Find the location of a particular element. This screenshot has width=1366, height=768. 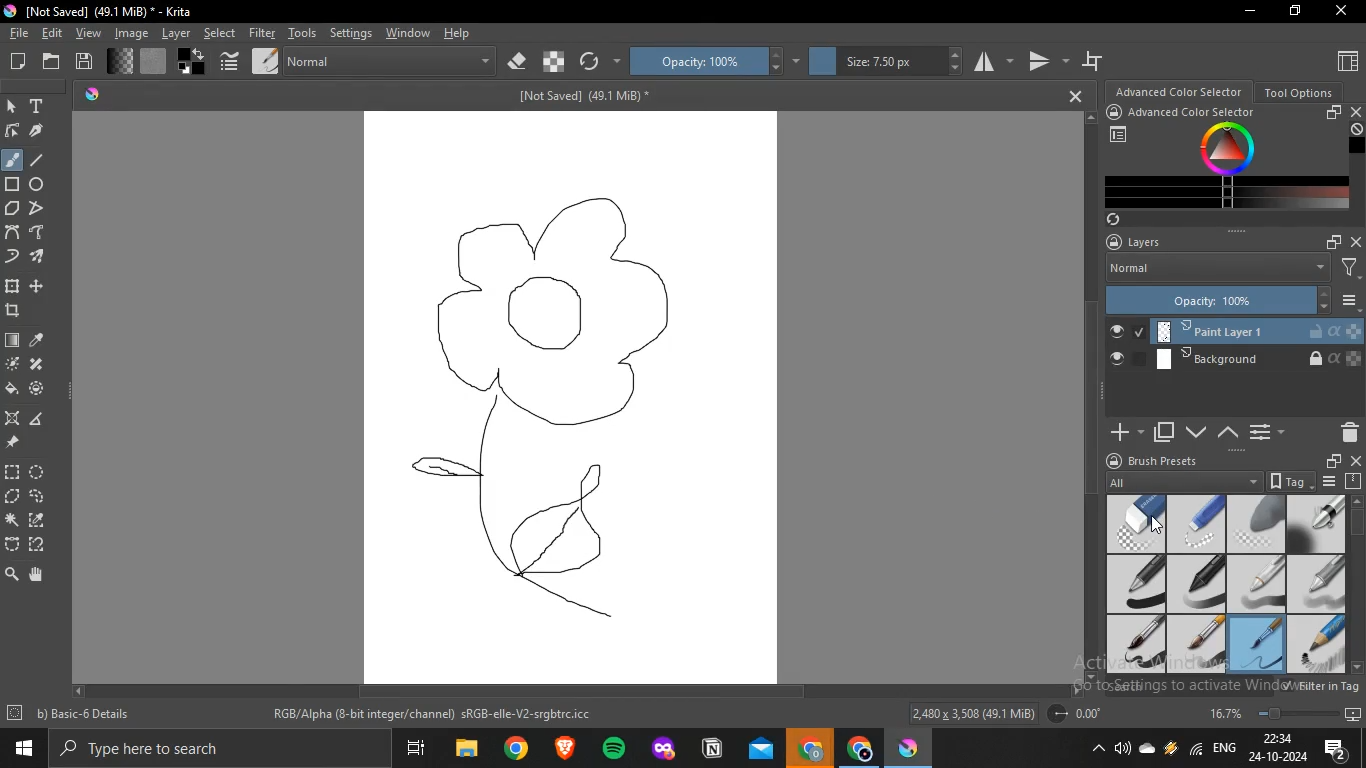

Application is located at coordinates (614, 749).